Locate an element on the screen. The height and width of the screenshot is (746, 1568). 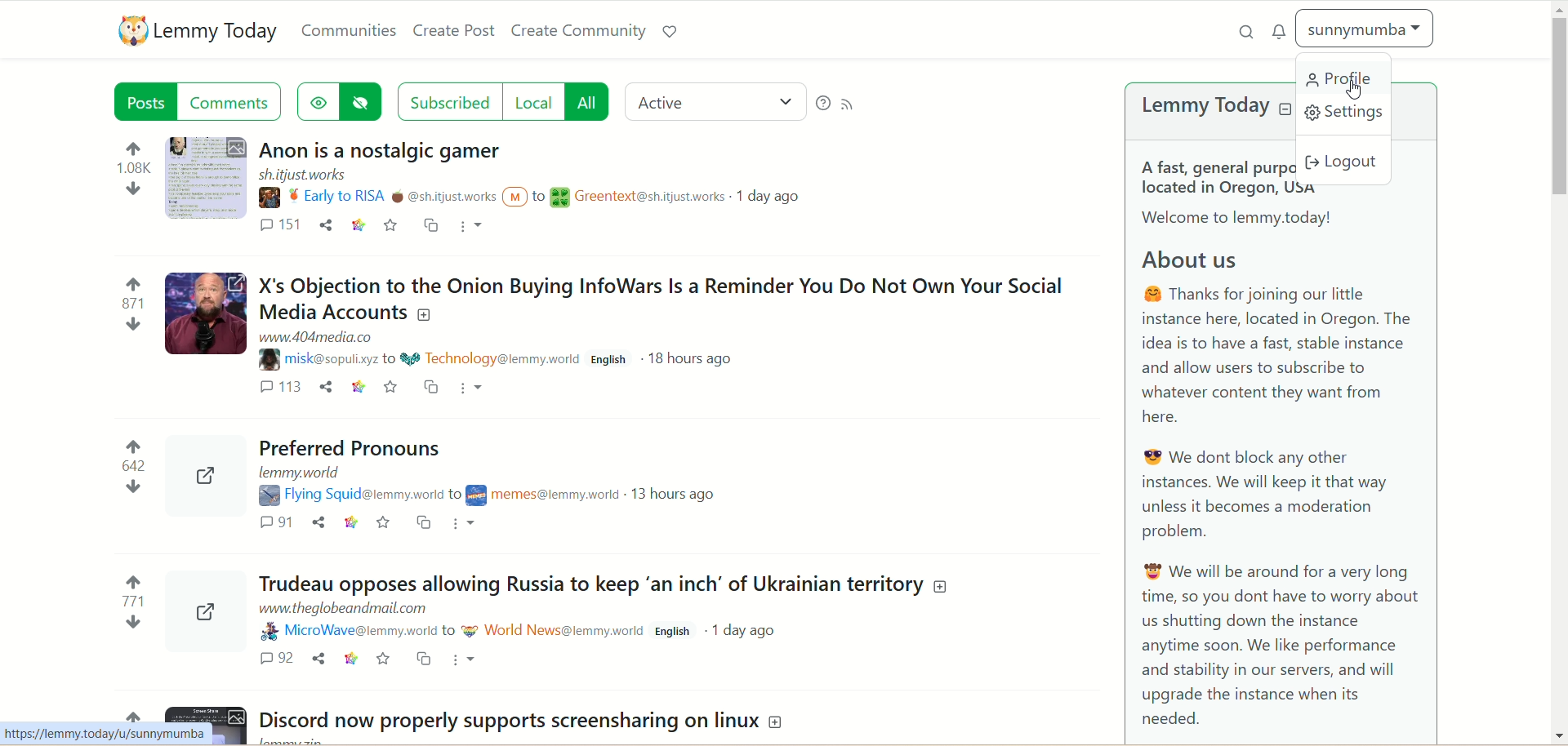
comment is located at coordinates (281, 228).